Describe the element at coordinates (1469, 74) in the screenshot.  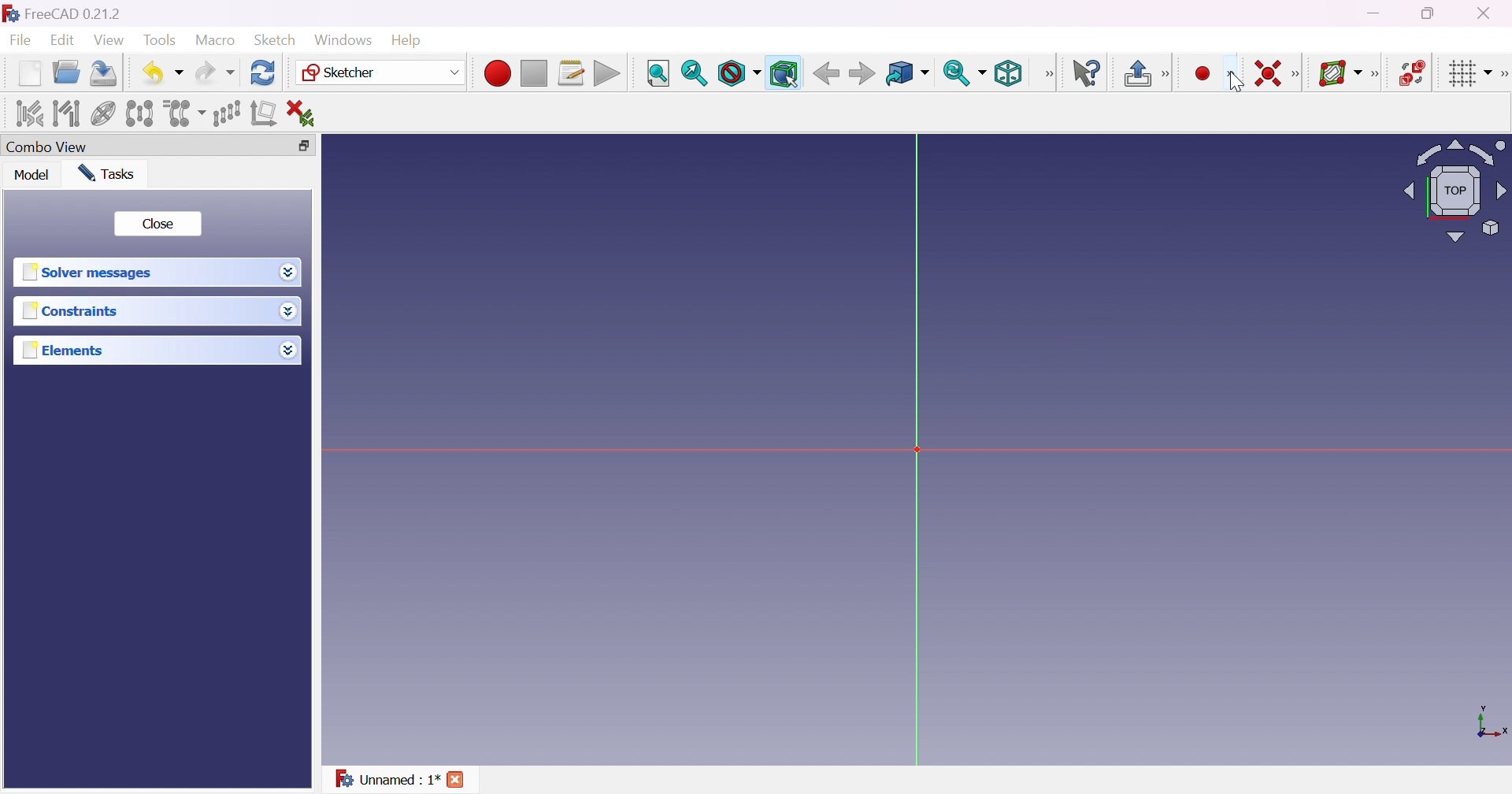
I see `Toggle grid` at that location.